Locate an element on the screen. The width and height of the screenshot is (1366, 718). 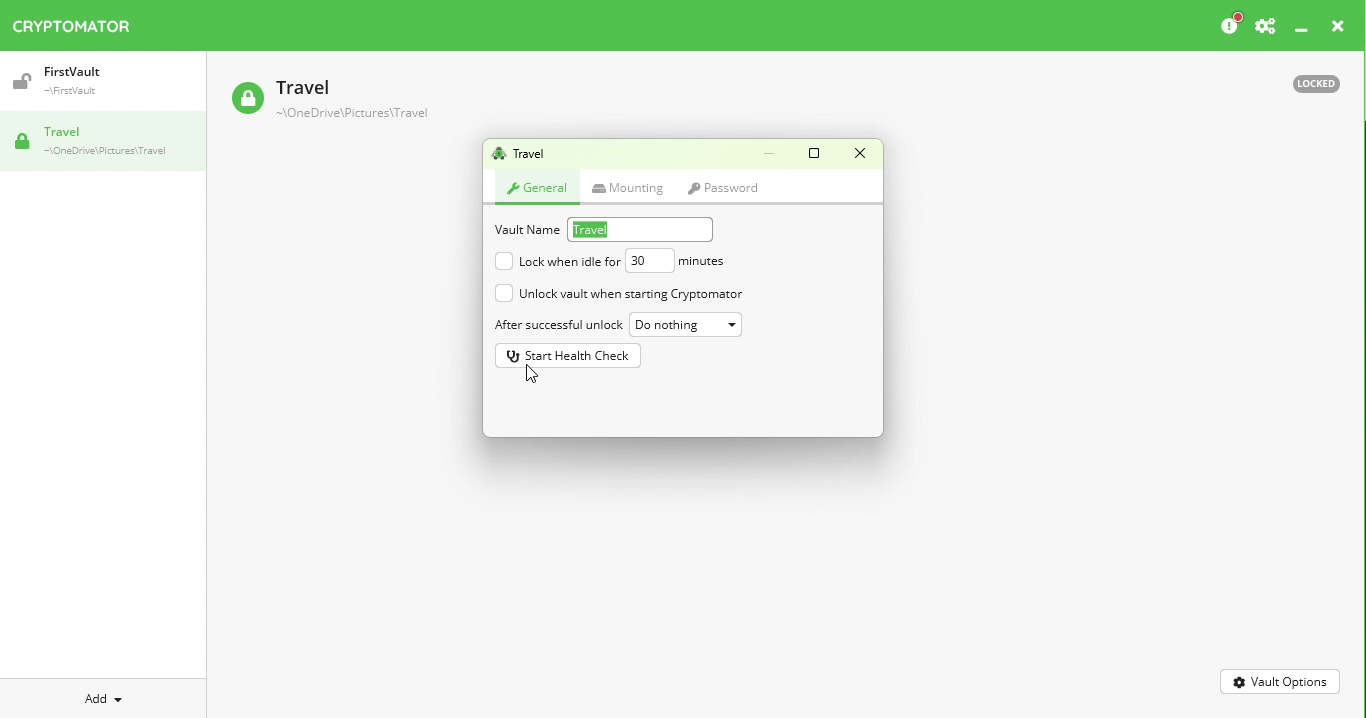
Vault name is located at coordinates (524, 156).